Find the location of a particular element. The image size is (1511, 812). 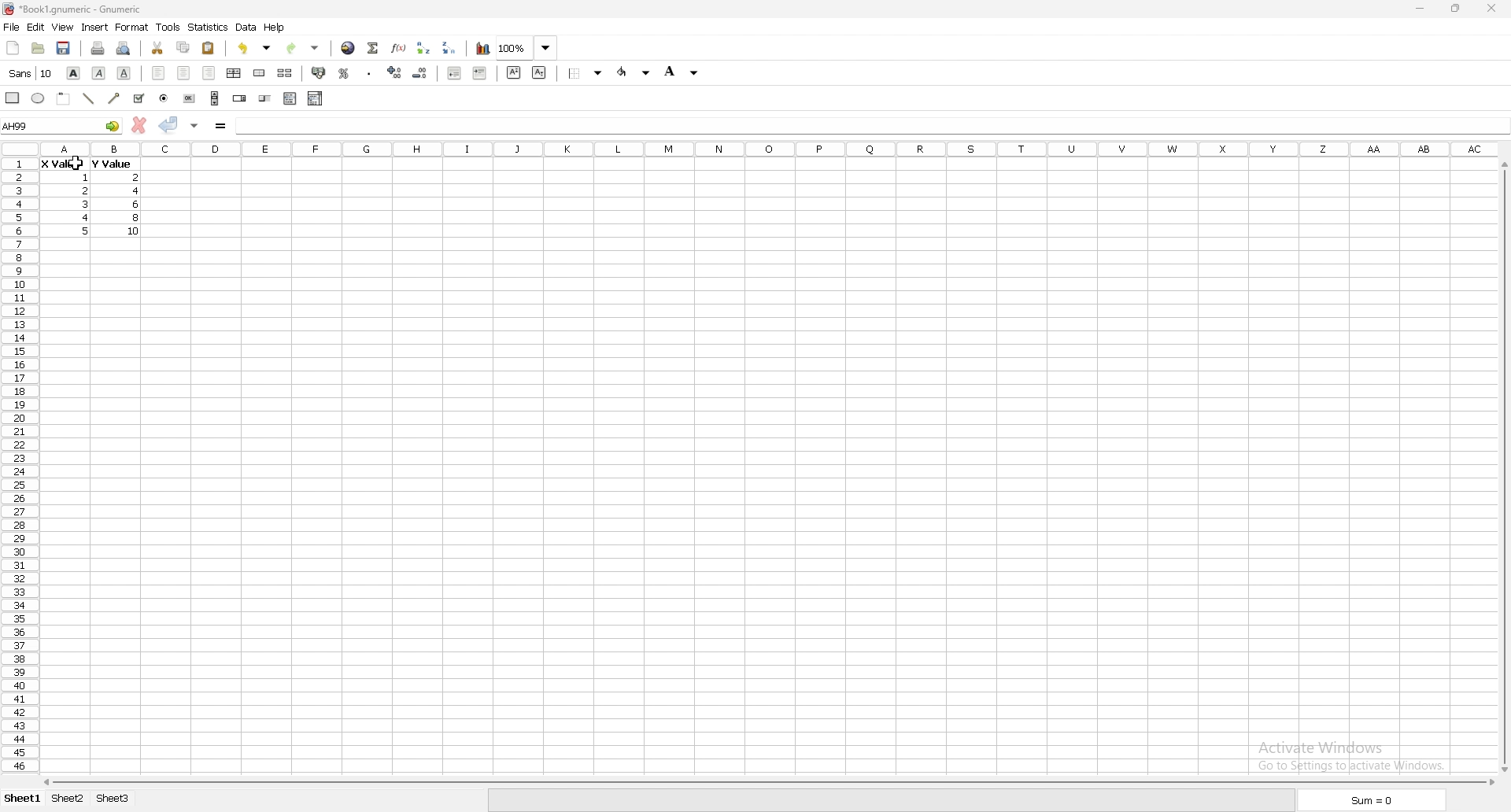

sheet 2 is located at coordinates (68, 799).